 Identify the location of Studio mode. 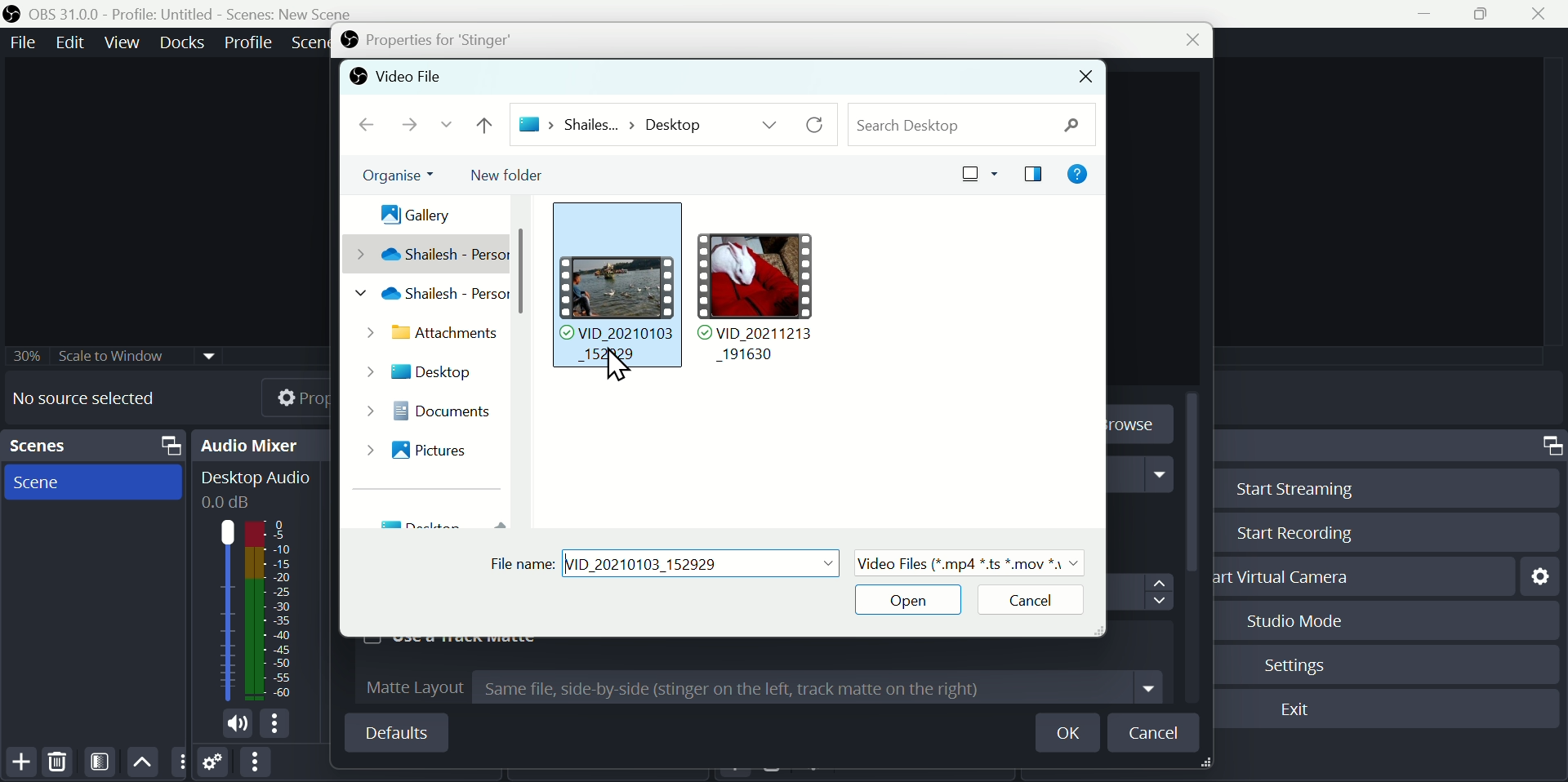
(1289, 620).